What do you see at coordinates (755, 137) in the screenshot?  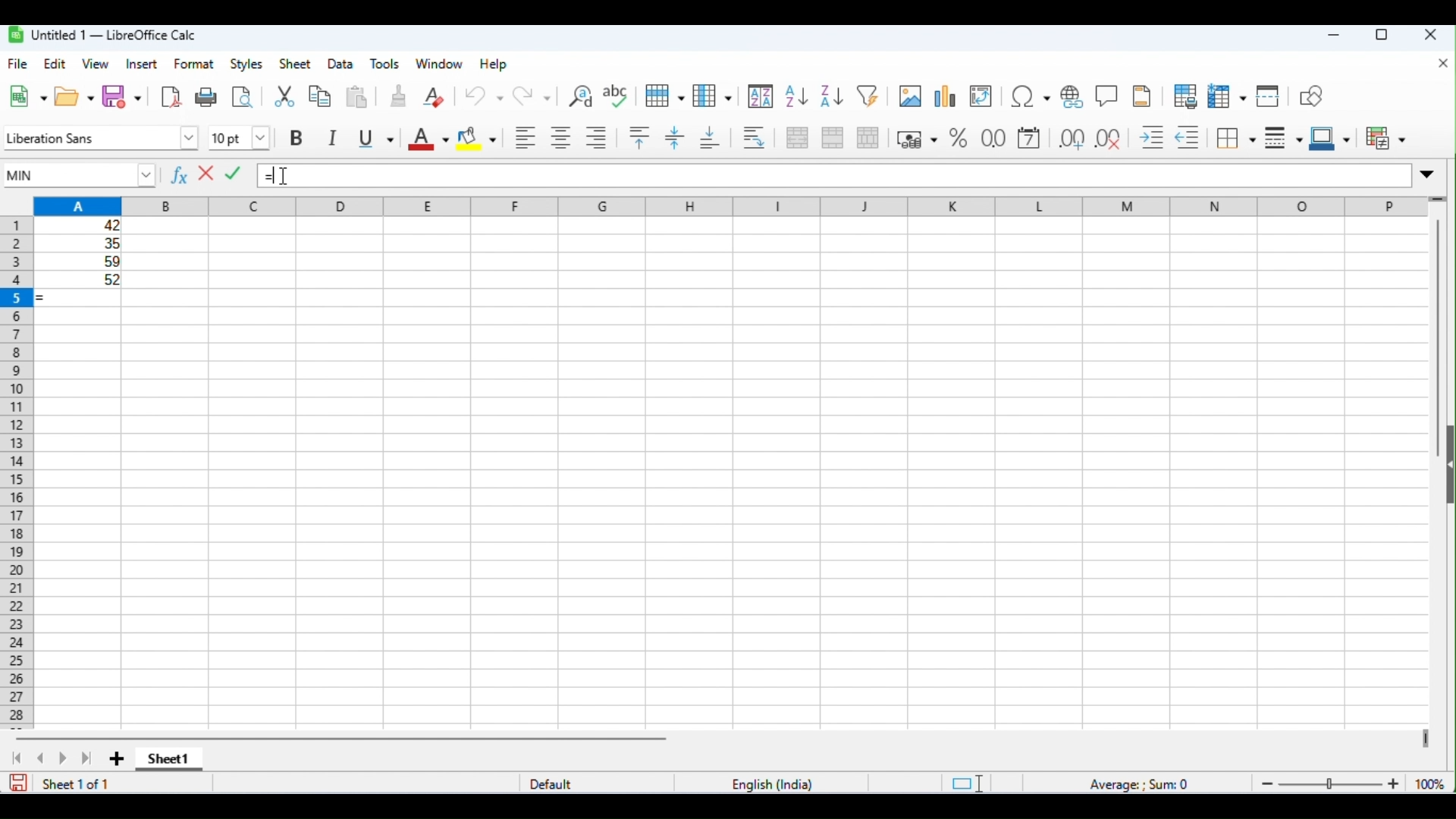 I see `wrap text` at bounding box center [755, 137].